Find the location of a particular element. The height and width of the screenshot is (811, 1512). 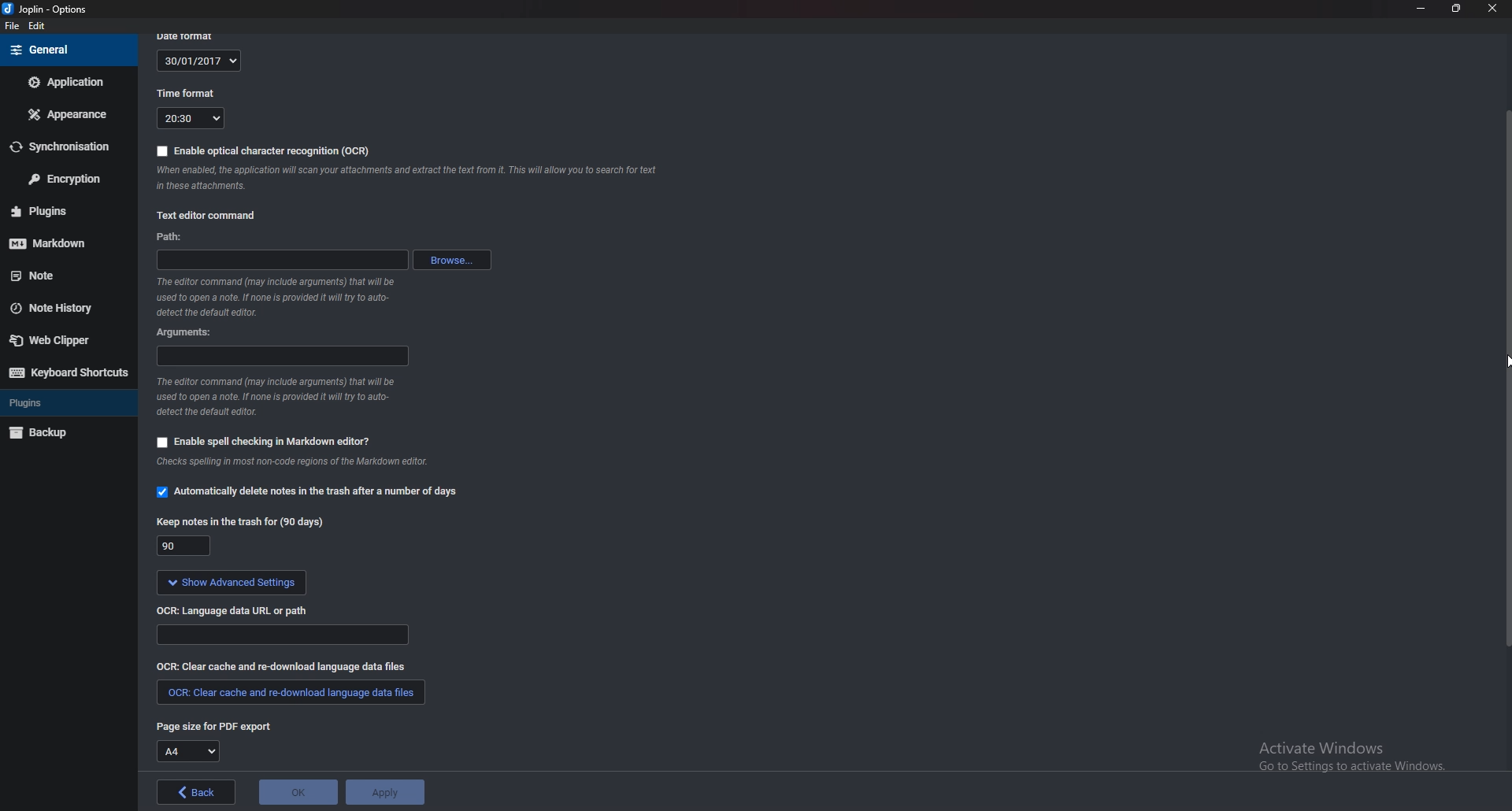

page size for pdf export is located at coordinates (213, 726).